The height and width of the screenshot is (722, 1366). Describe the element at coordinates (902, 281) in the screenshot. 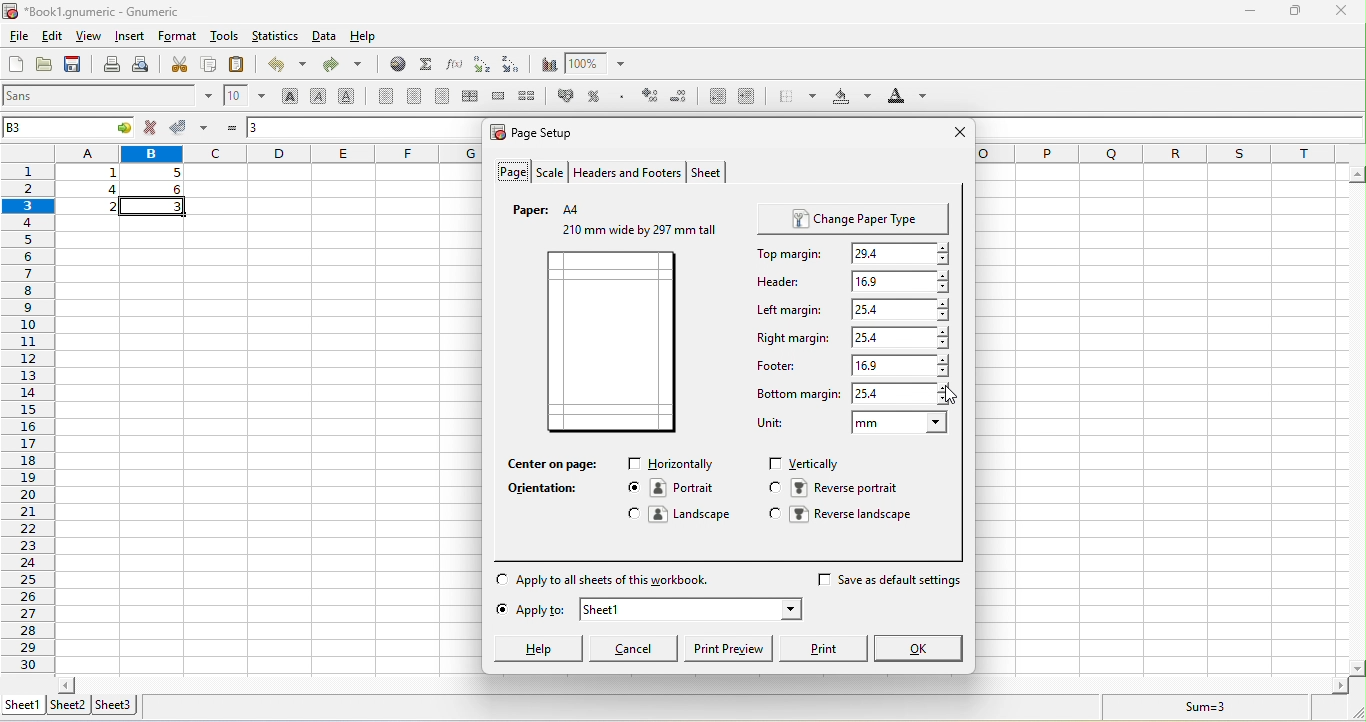

I see `16.9` at that location.